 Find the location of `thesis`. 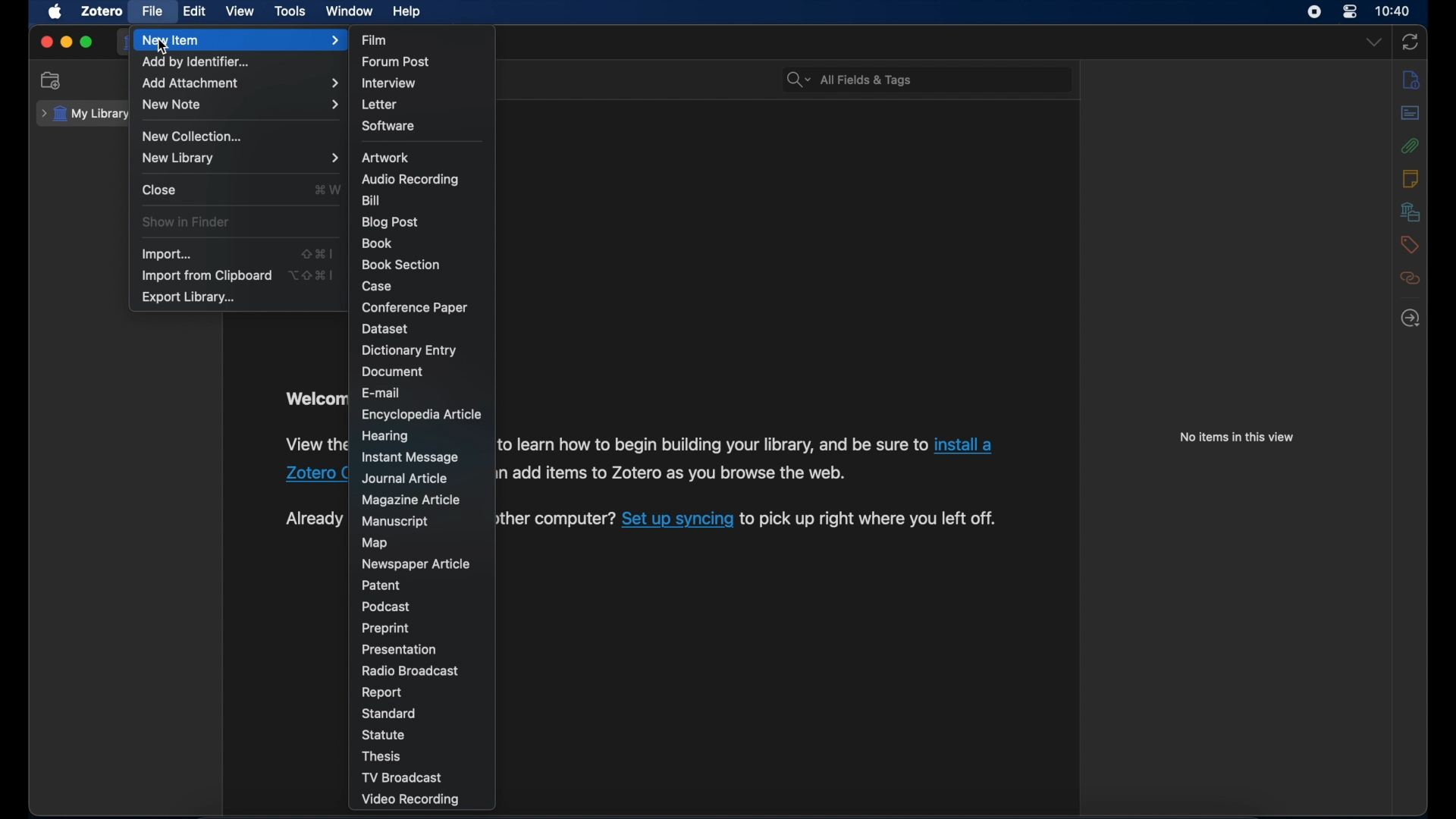

thesis is located at coordinates (383, 757).